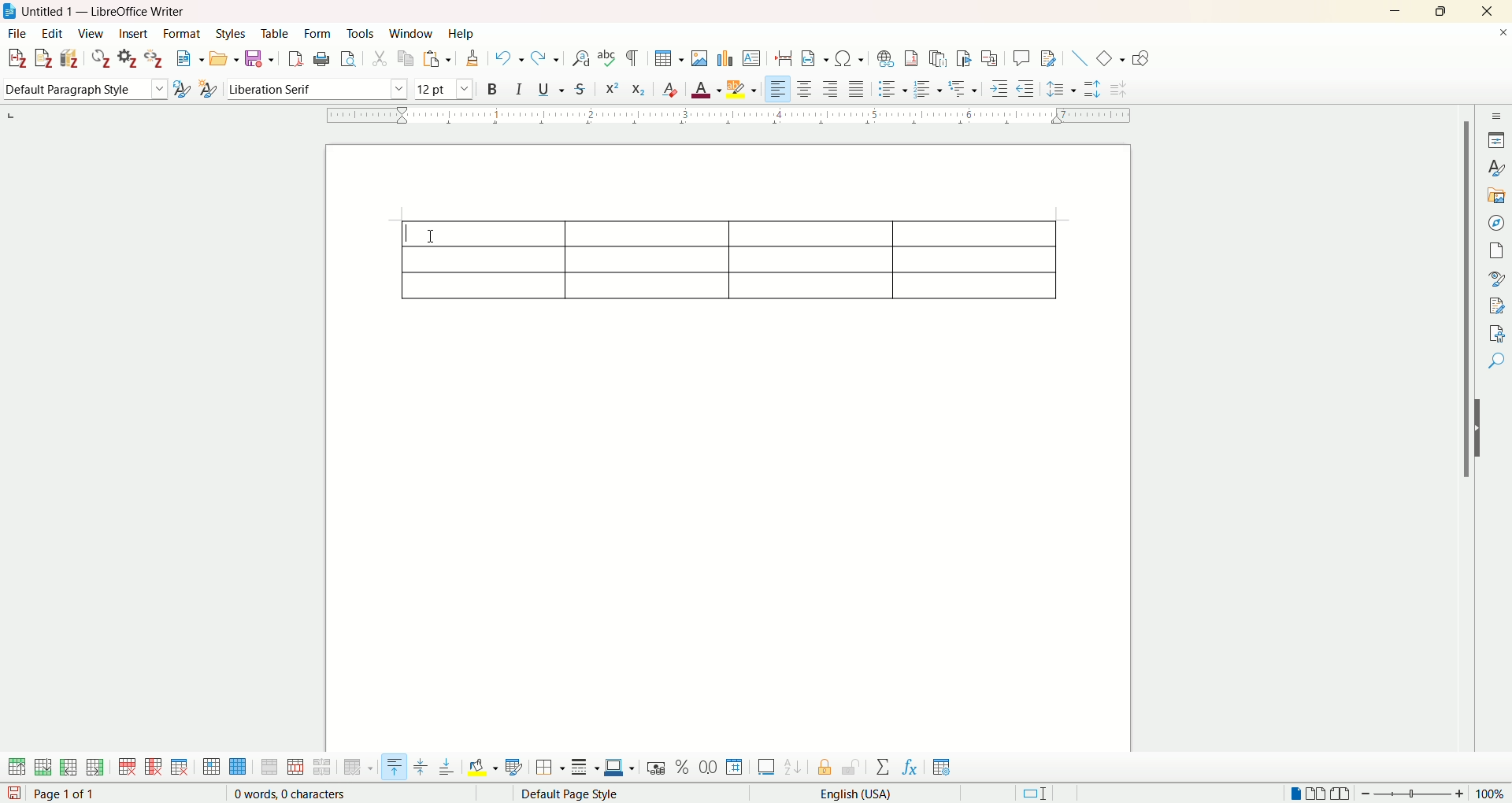  What do you see at coordinates (1467, 441) in the screenshot?
I see `vertical scroll bar` at bounding box center [1467, 441].